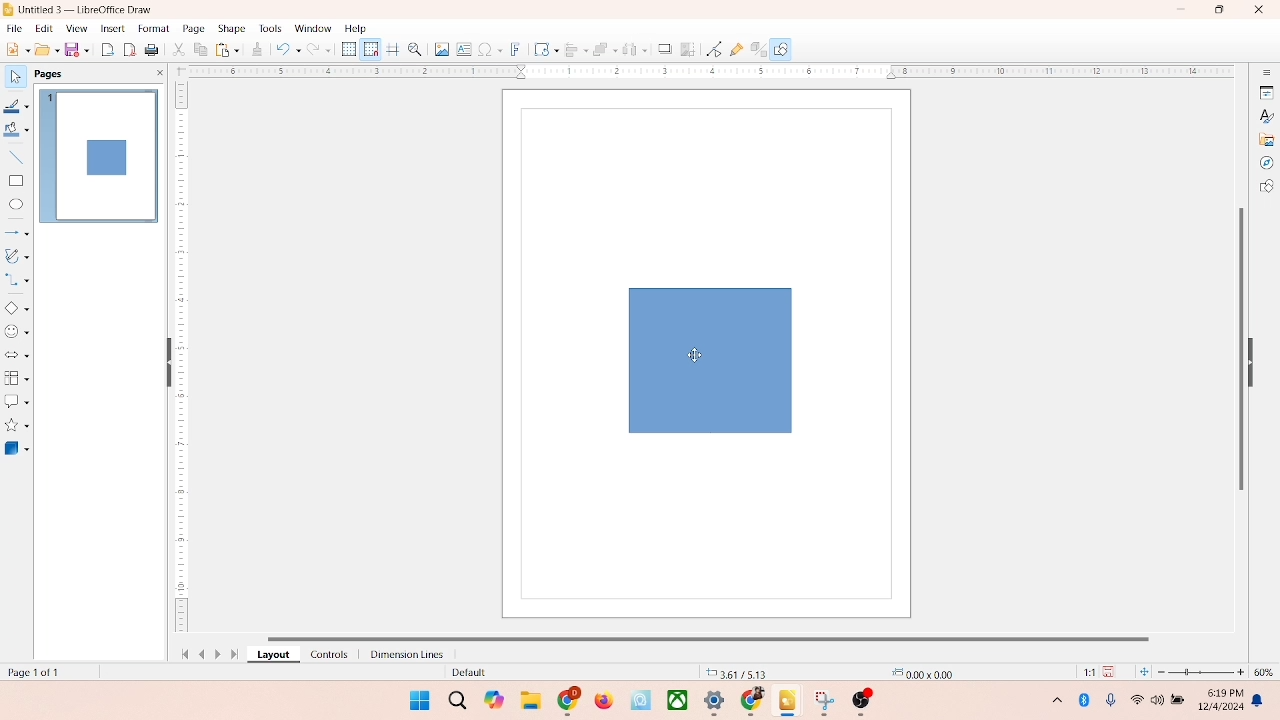  Describe the element at coordinates (153, 27) in the screenshot. I see `format` at that location.